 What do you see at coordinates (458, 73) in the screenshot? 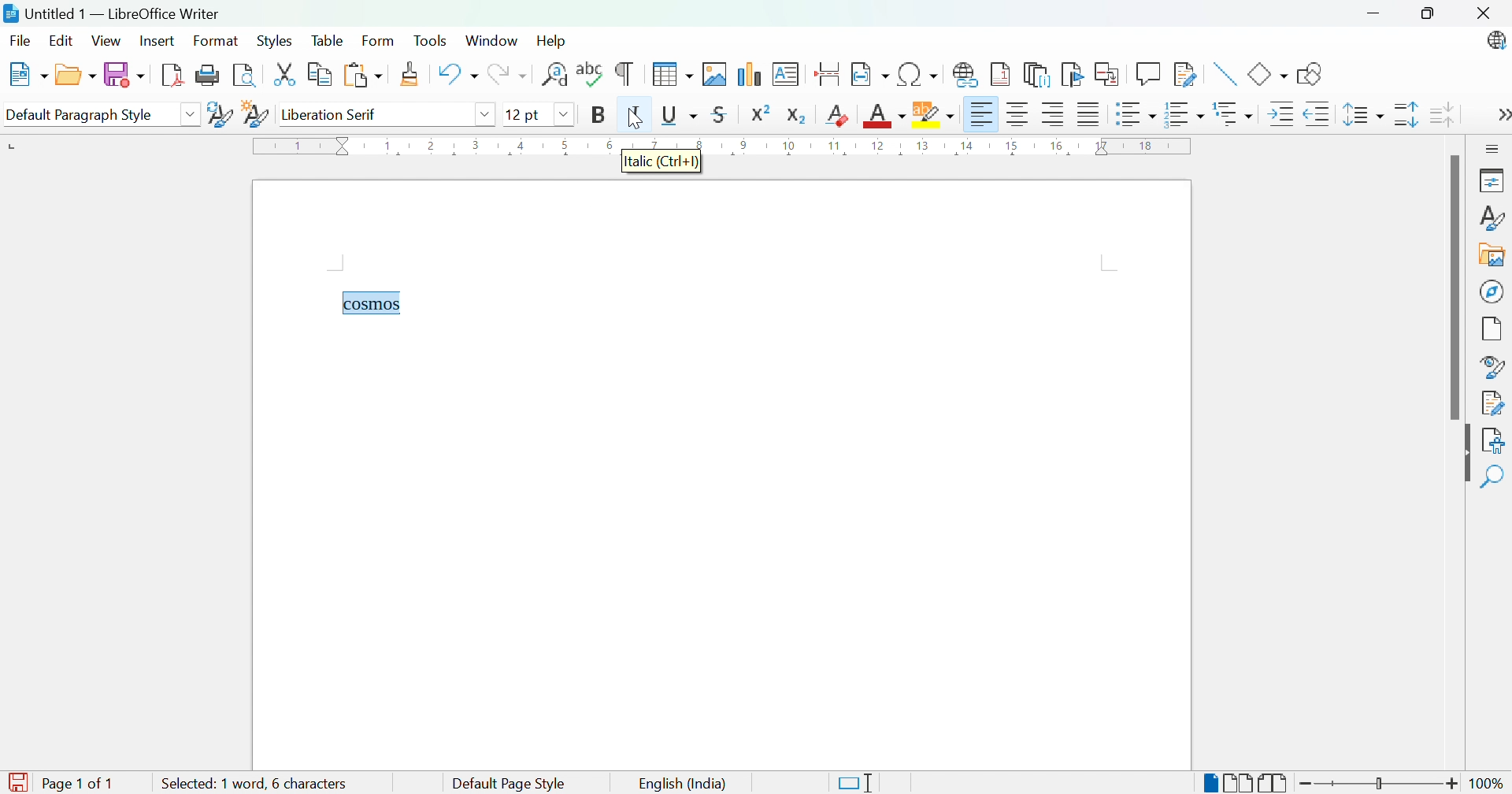
I see `Undo` at bounding box center [458, 73].